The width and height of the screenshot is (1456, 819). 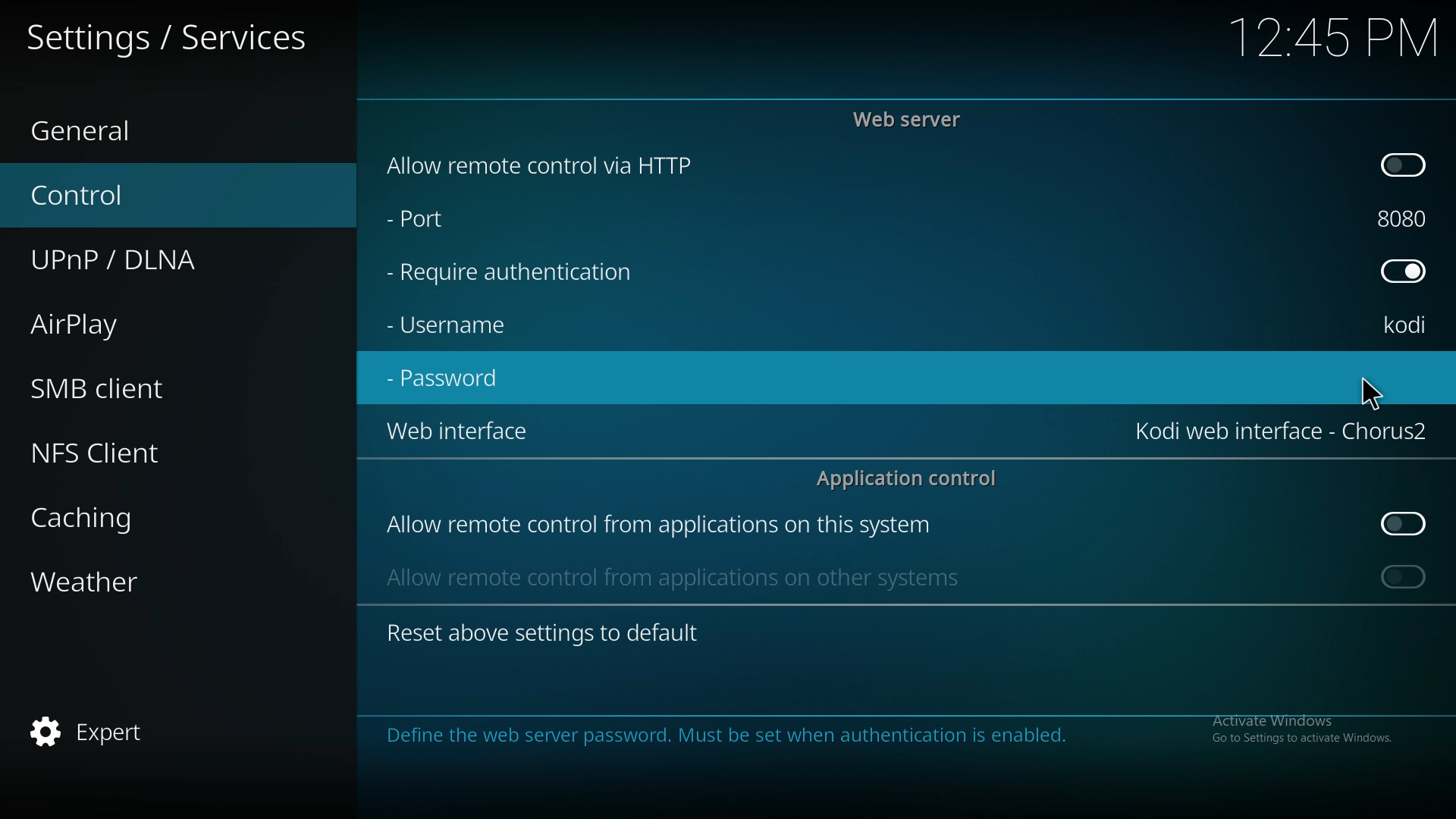 What do you see at coordinates (912, 119) in the screenshot?
I see `web server` at bounding box center [912, 119].